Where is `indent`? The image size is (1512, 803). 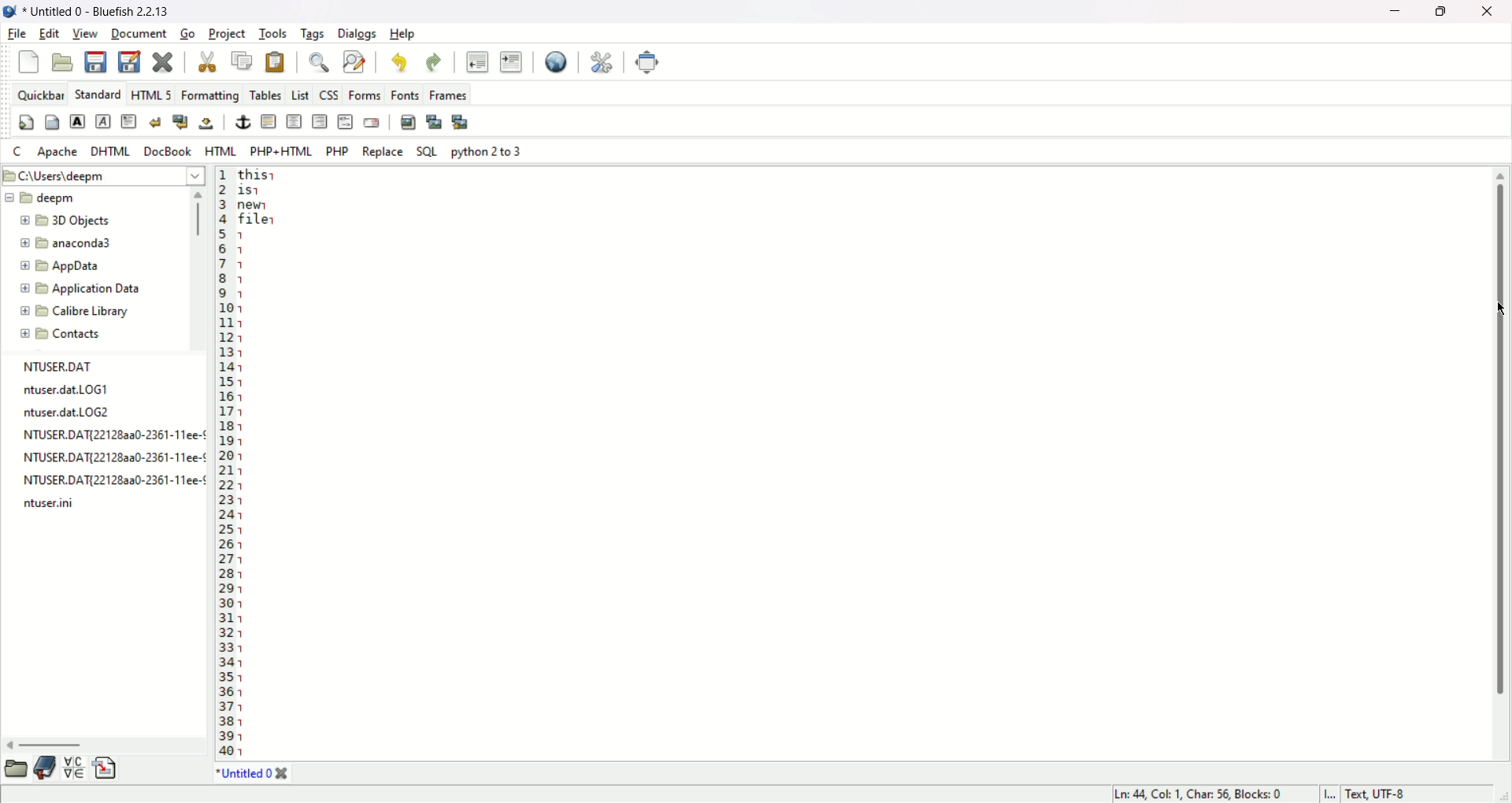 indent is located at coordinates (511, 64).